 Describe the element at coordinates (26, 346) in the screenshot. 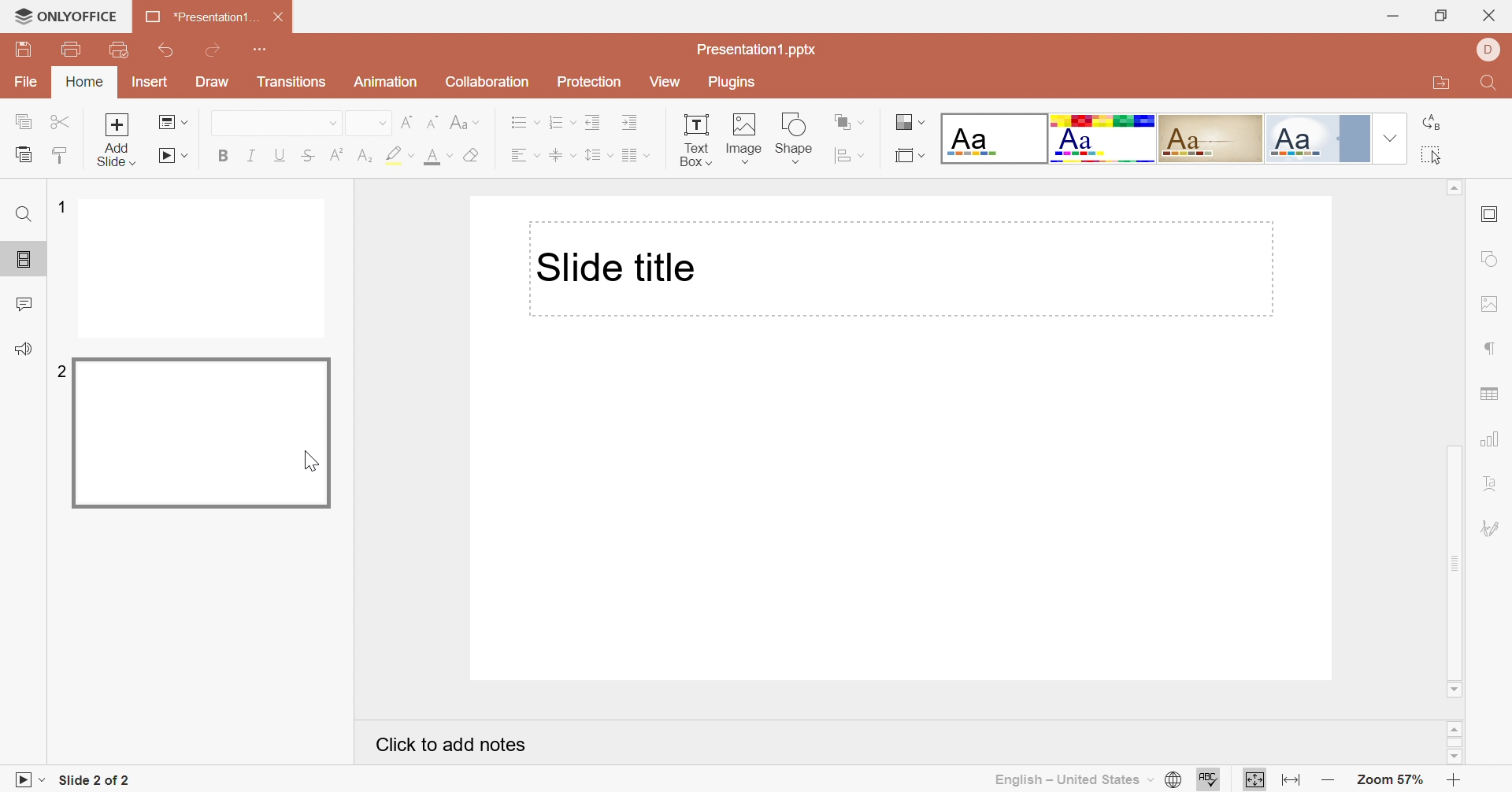

I see `Feedback & Support` at that location.